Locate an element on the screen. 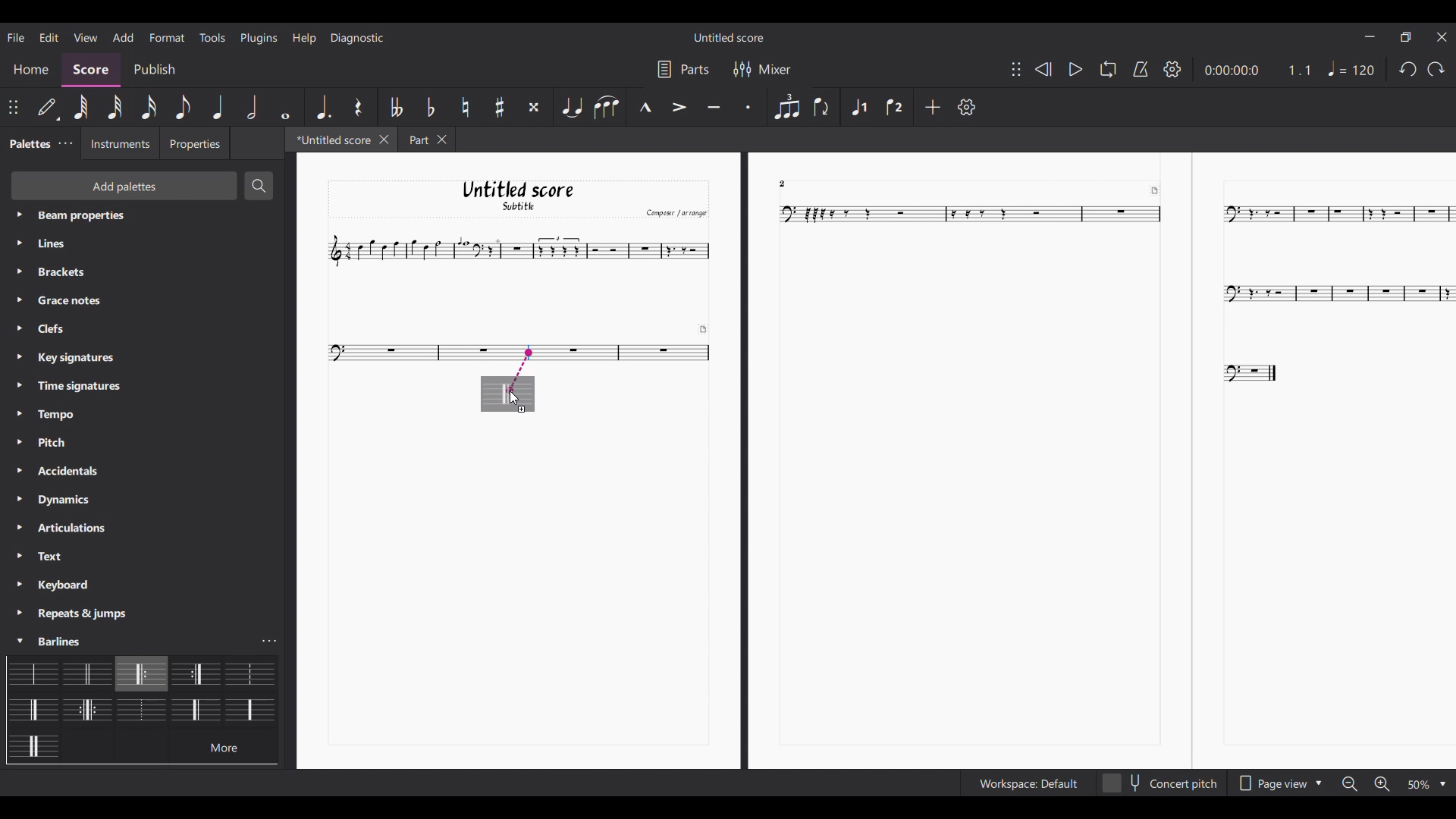 This screenshot has height=819, width=1456. Minimize is located at coordinates (1370, 37).